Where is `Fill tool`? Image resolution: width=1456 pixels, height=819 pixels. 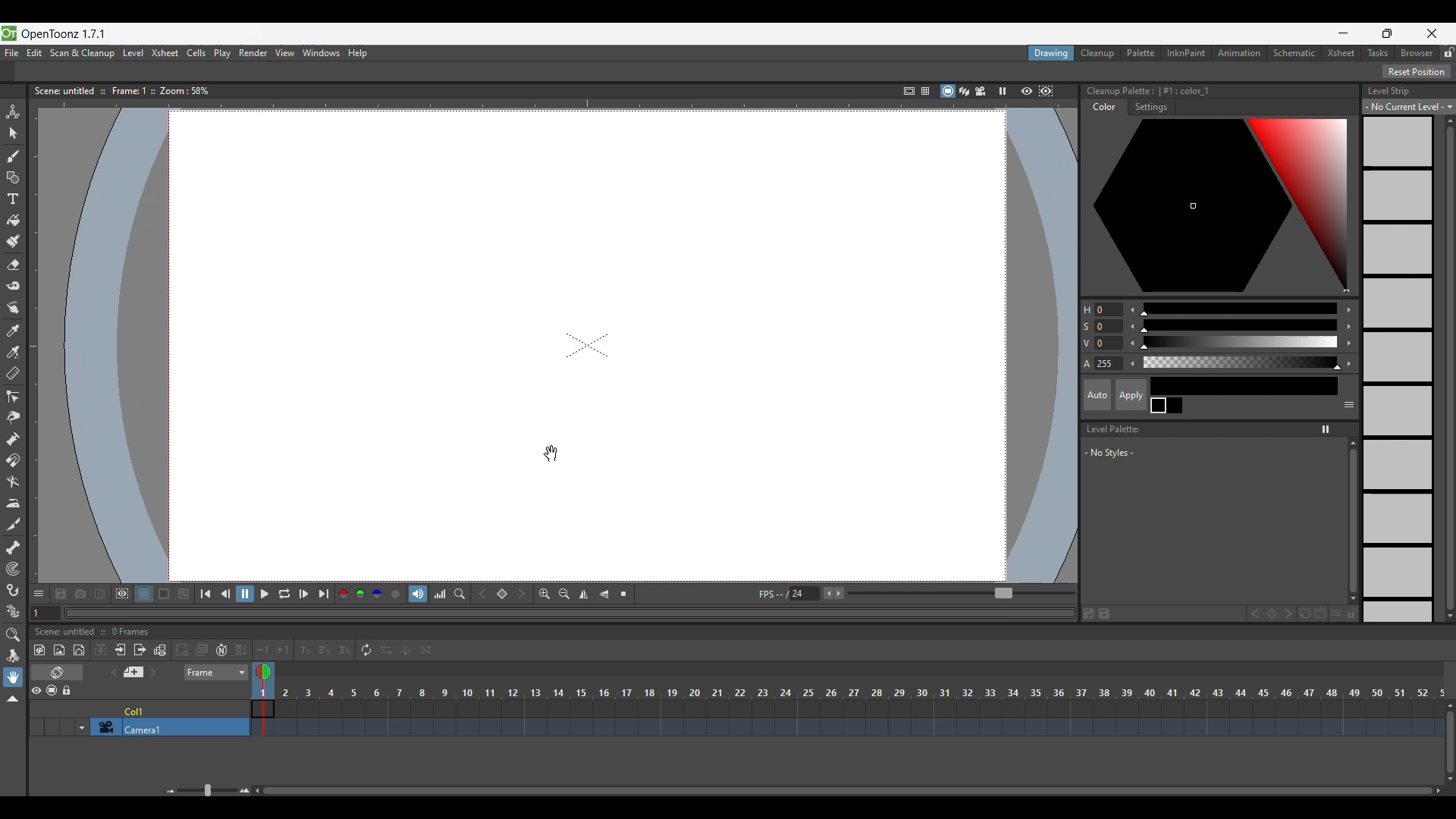 Fill tool is located at coordinates (13, 220).